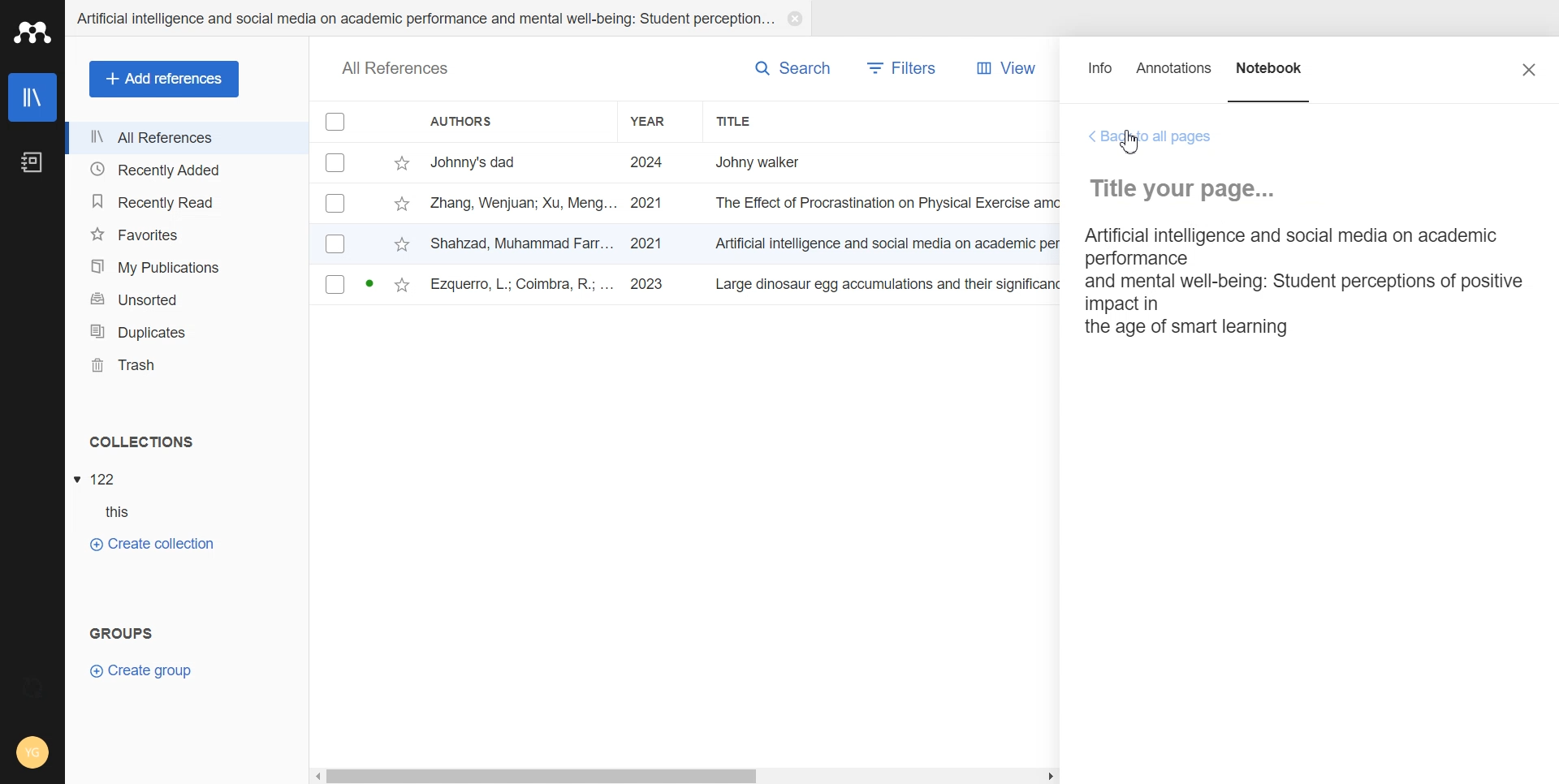 This screenshot has height=784, width=1559. Describe the element at coordinates (336, 203) in the screenshot. I see `Checkbox` at that location.